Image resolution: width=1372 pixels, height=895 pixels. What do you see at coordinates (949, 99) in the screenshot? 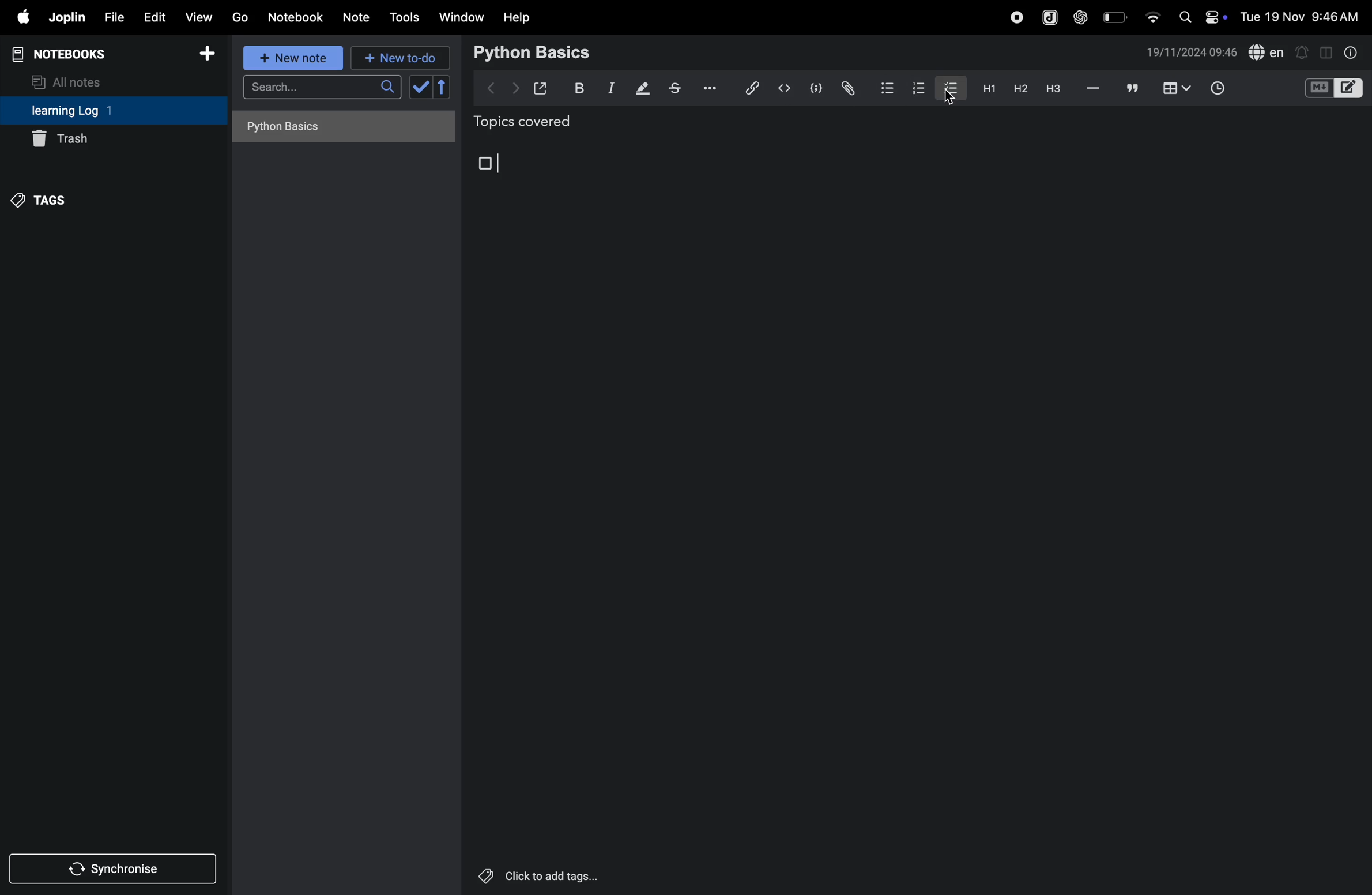
I see `cursor` at bounding box center [949, 99].